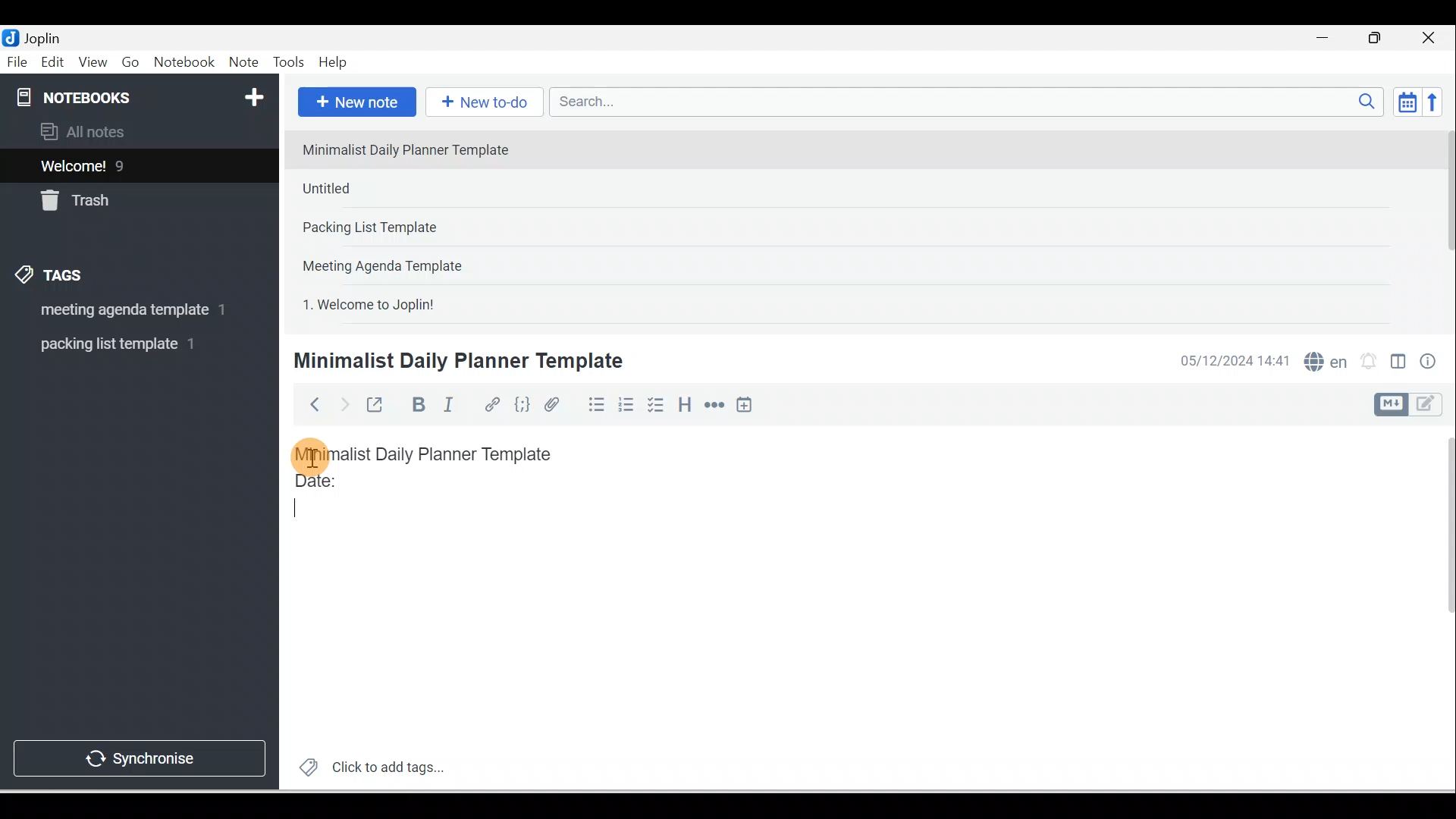 The height and width of the screenshot is (819, 1456). Describe the element at coordinates (491, 406) in the screenshot. I see `Hyperlink` at that location.